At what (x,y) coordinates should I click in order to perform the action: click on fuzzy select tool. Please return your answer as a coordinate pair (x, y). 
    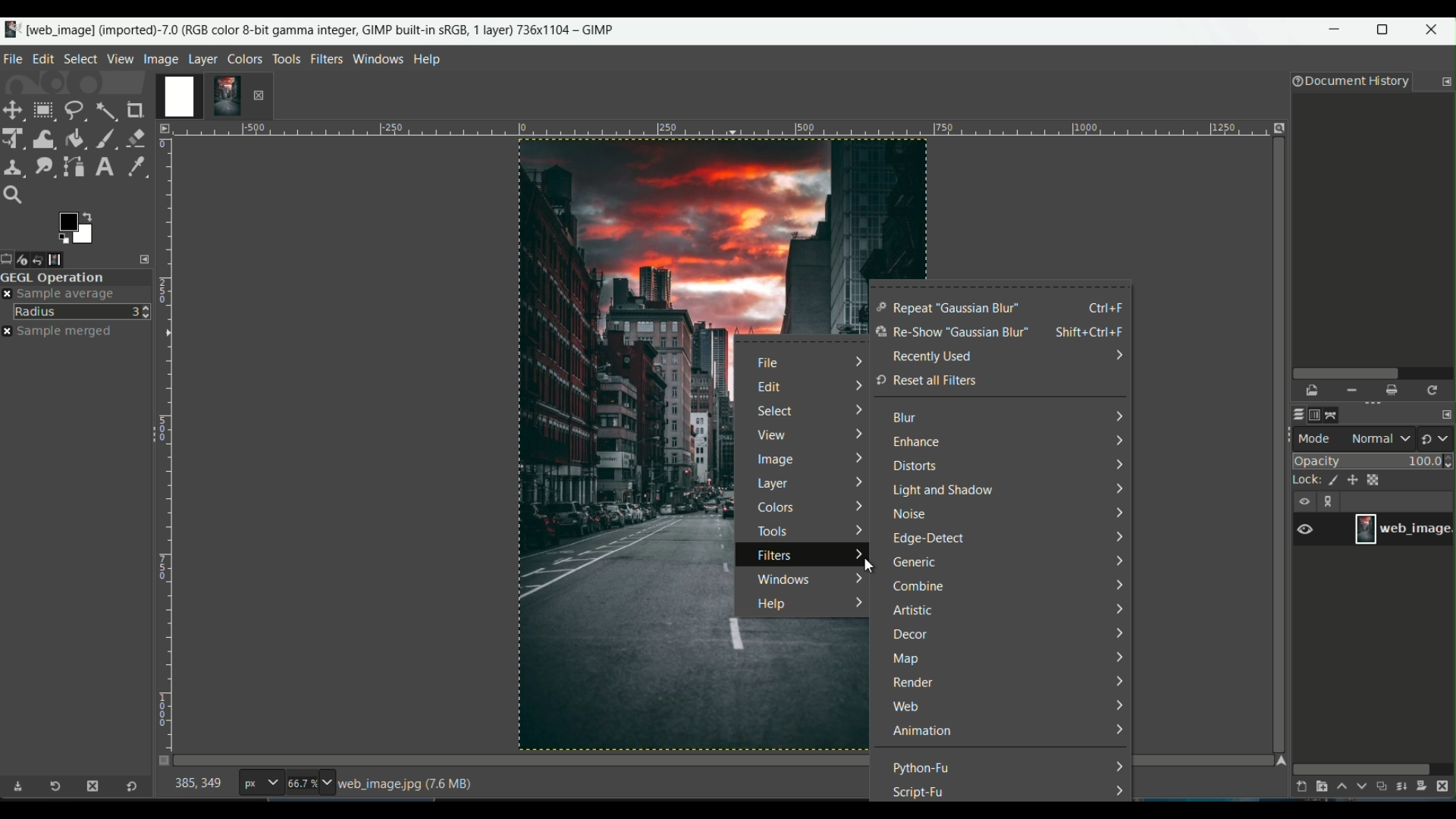
    Looking at the image, I should click on (105, 109).